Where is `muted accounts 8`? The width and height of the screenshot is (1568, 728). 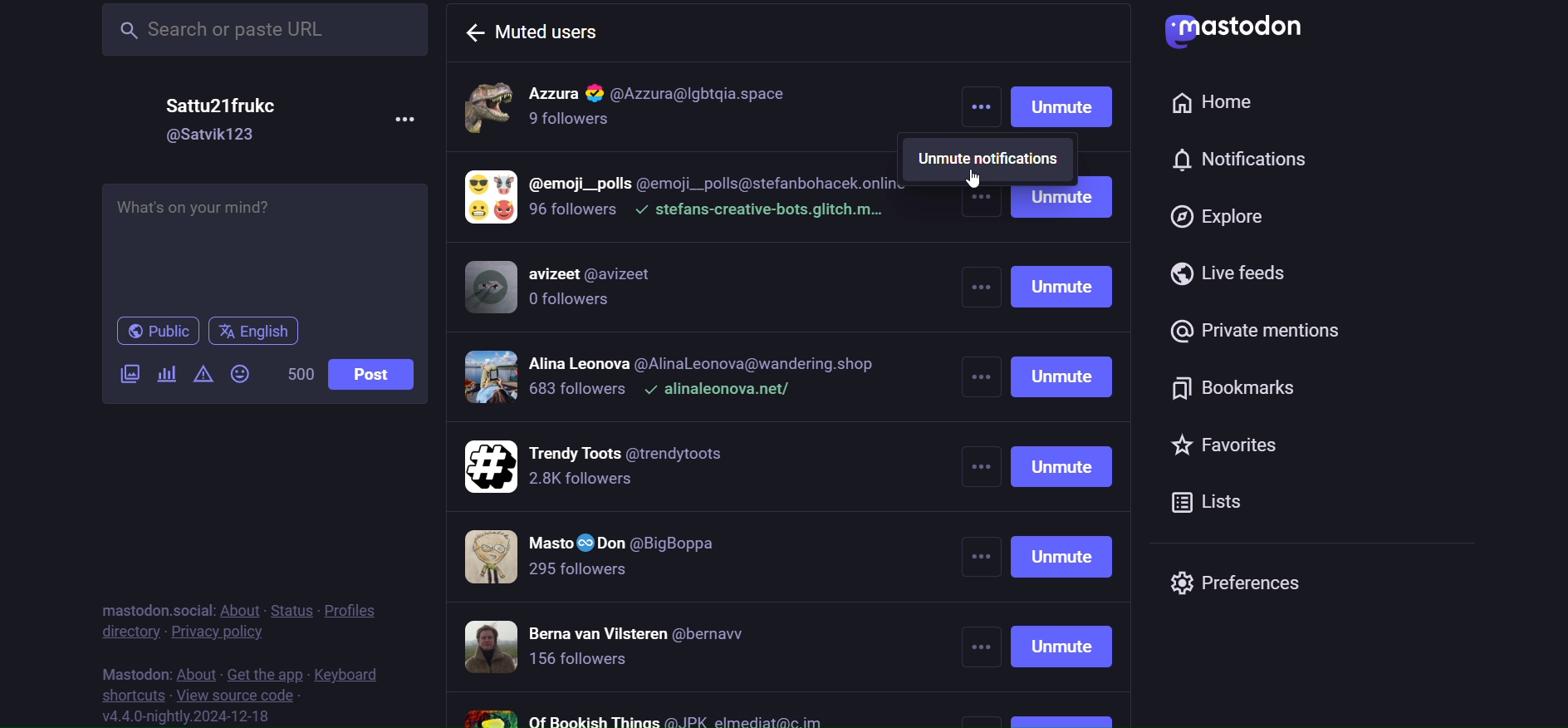 muted accounts 8 is located at coordinates (654, 715).